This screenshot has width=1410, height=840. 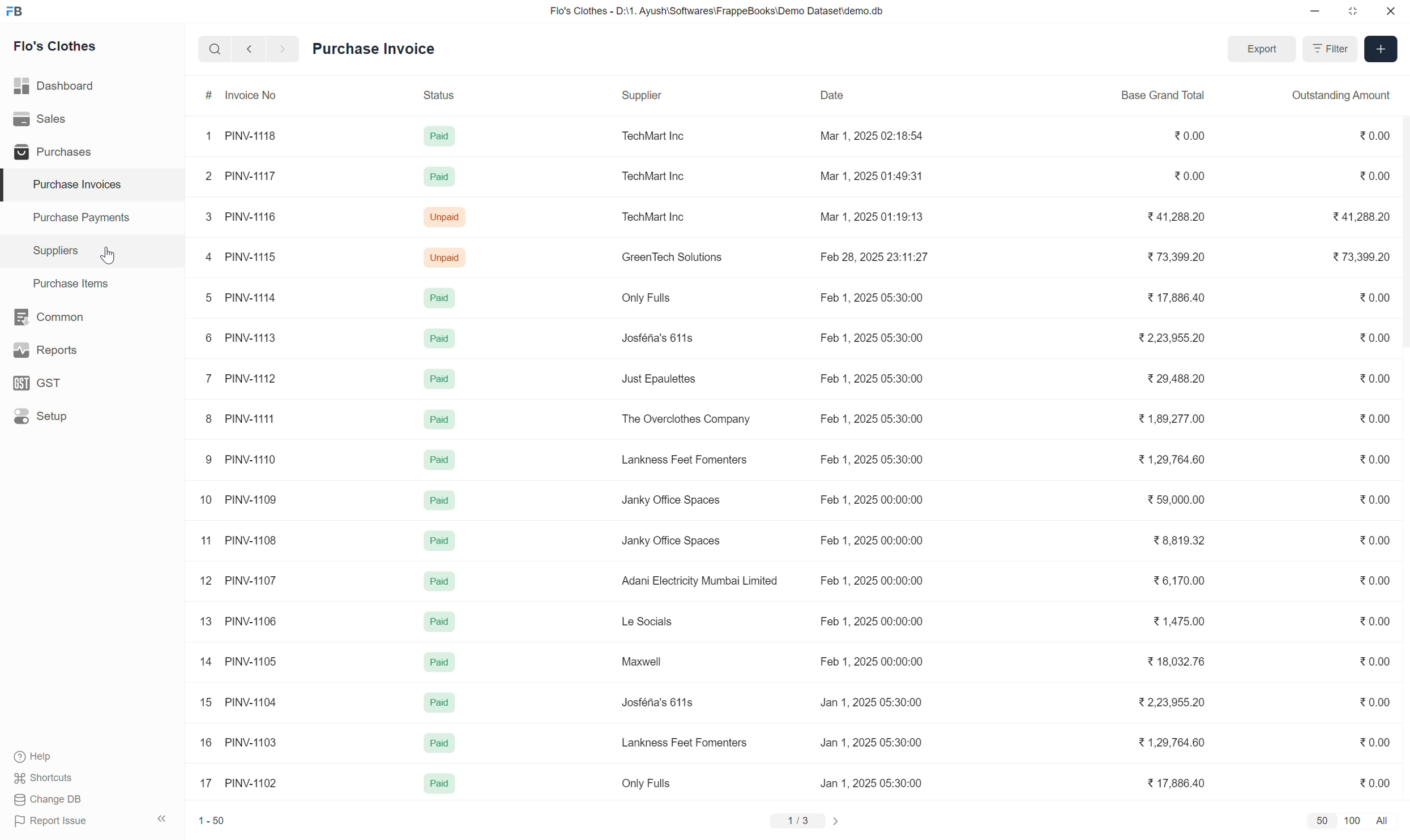 I want to click on Paid, so click(x=438, y=538).